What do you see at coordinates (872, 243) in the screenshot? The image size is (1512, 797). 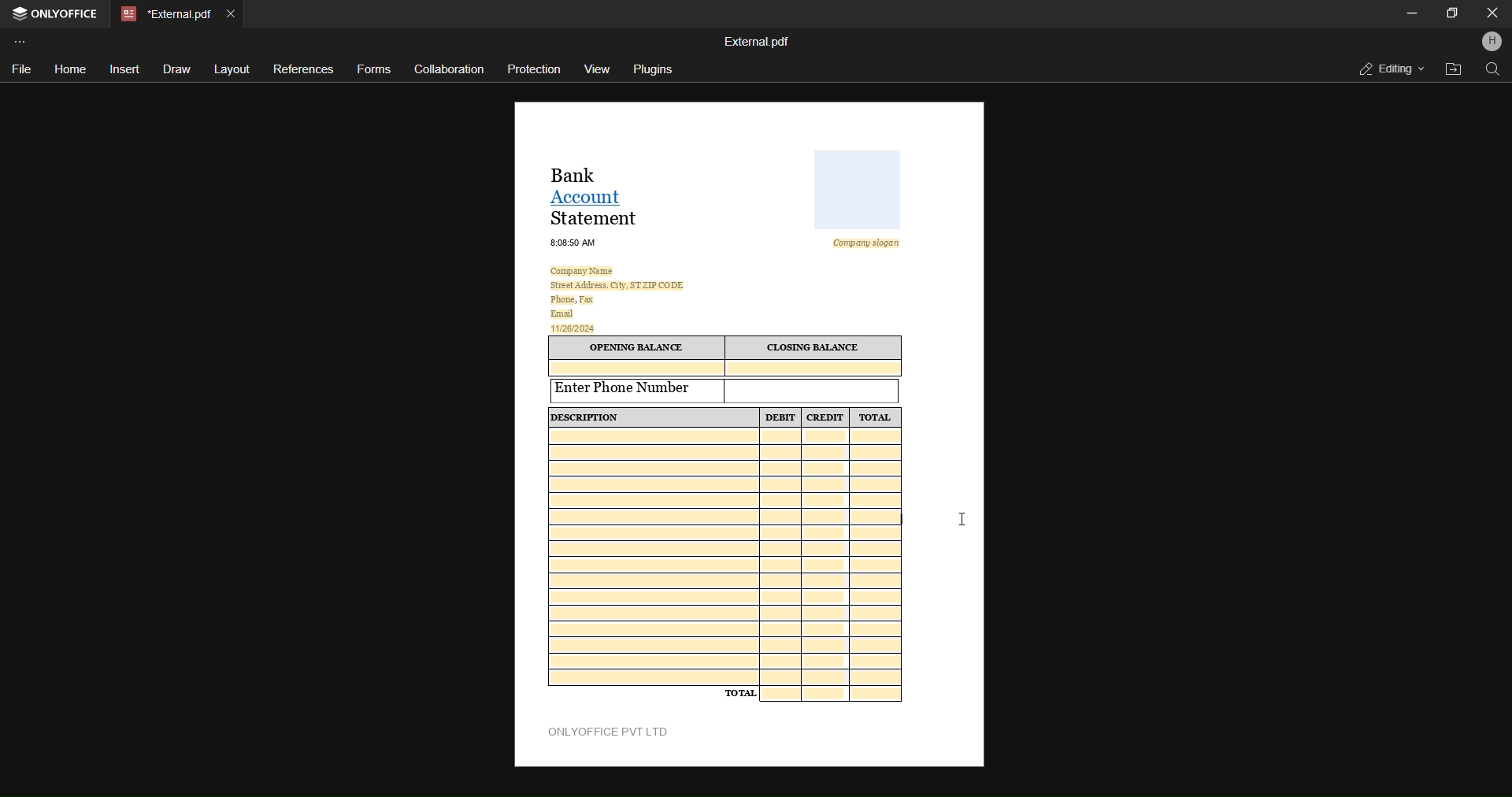 I see `Company slogan` at bounding box center [872, 243].